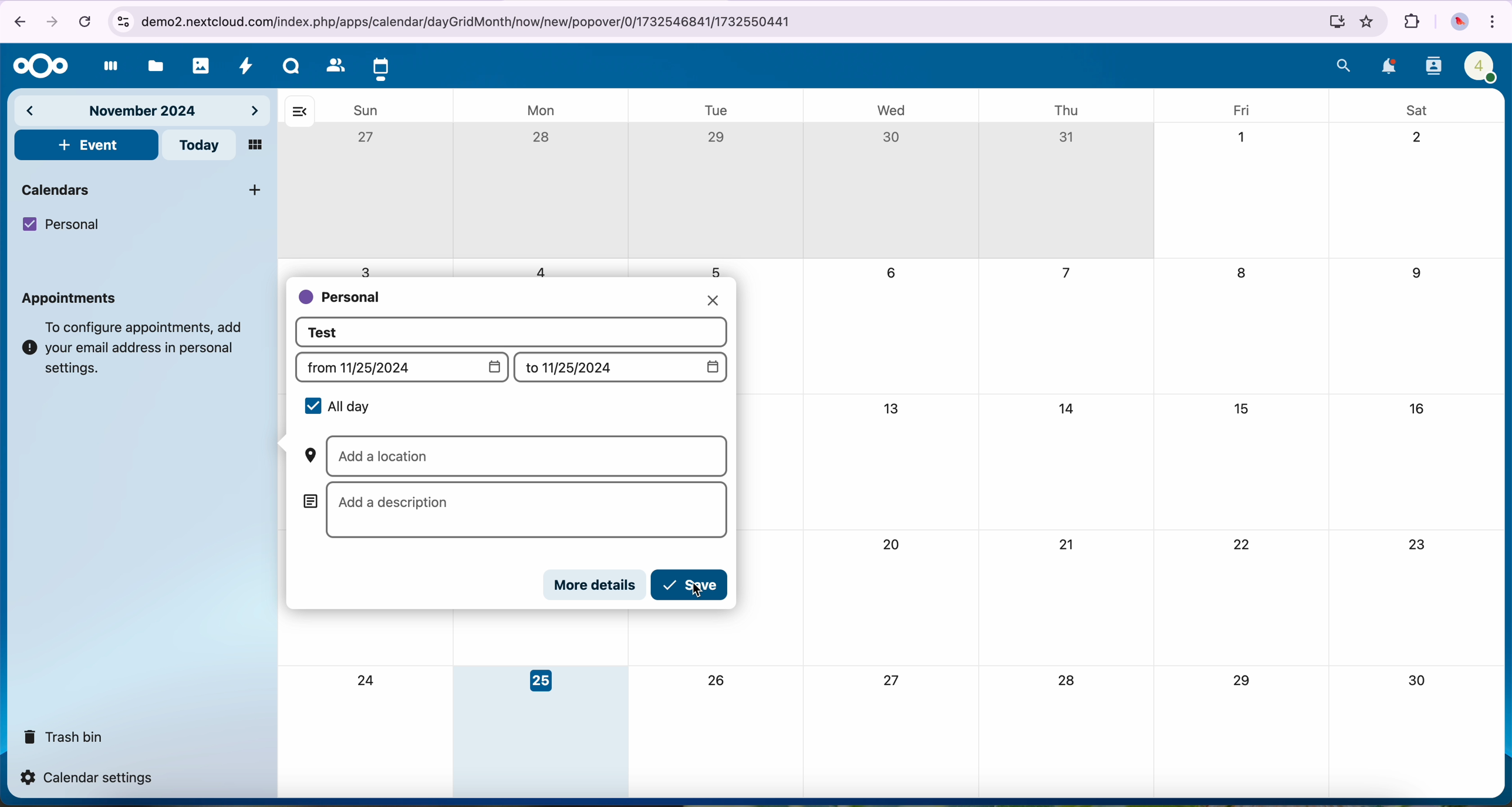 Image resolution: width=1512 pixels, height=807 pixels. What do you see at coordinates (1410, 22) in the screenshot?
I see `extensions` at bounding box center [1410, 22].